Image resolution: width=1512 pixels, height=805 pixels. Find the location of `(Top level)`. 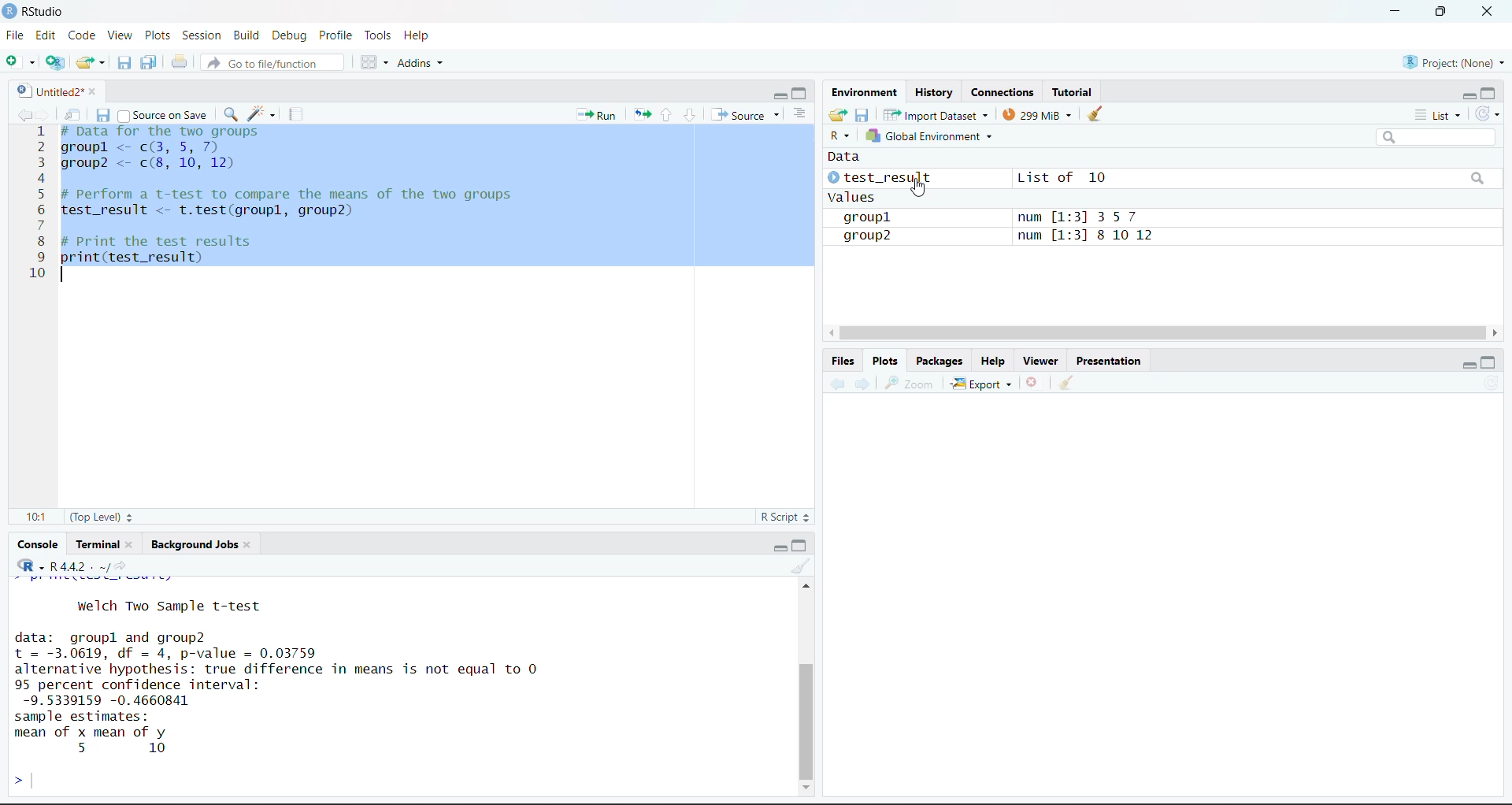

(Top level) is located at coordinates (102, 517).